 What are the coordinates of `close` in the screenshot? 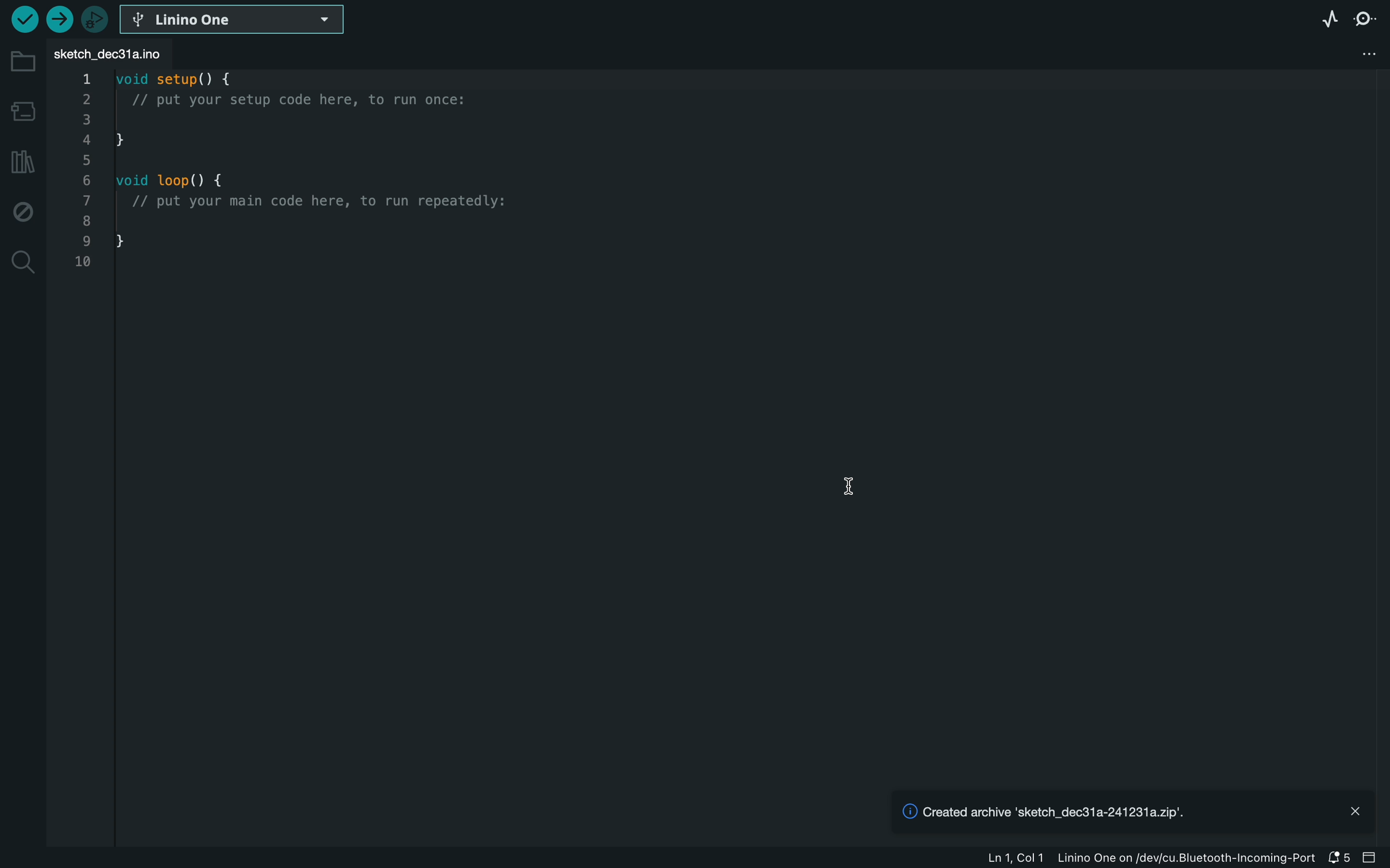 It's located at (1355, 811).